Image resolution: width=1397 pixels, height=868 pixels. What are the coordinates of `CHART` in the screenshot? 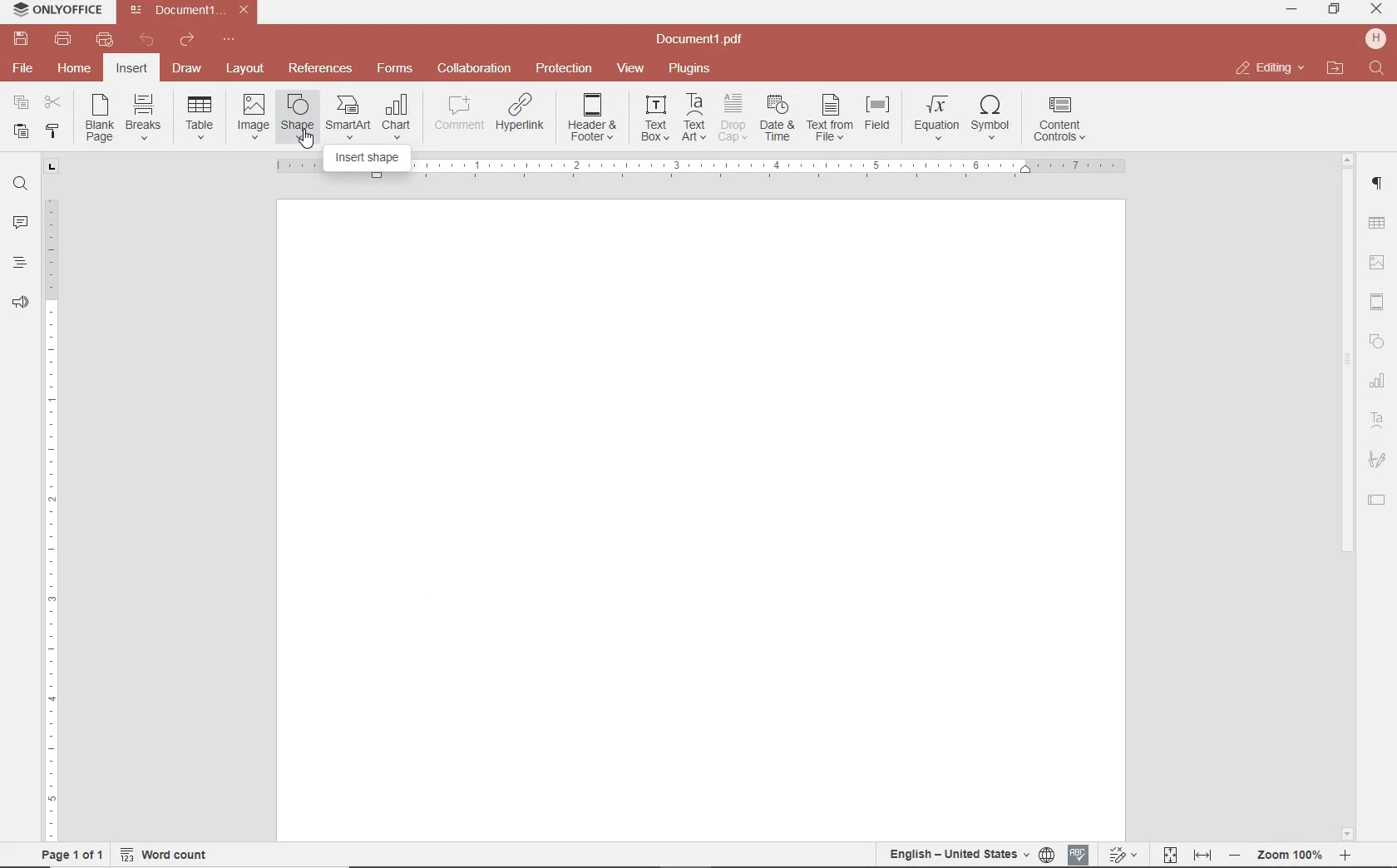 It's located at (1378, 382).